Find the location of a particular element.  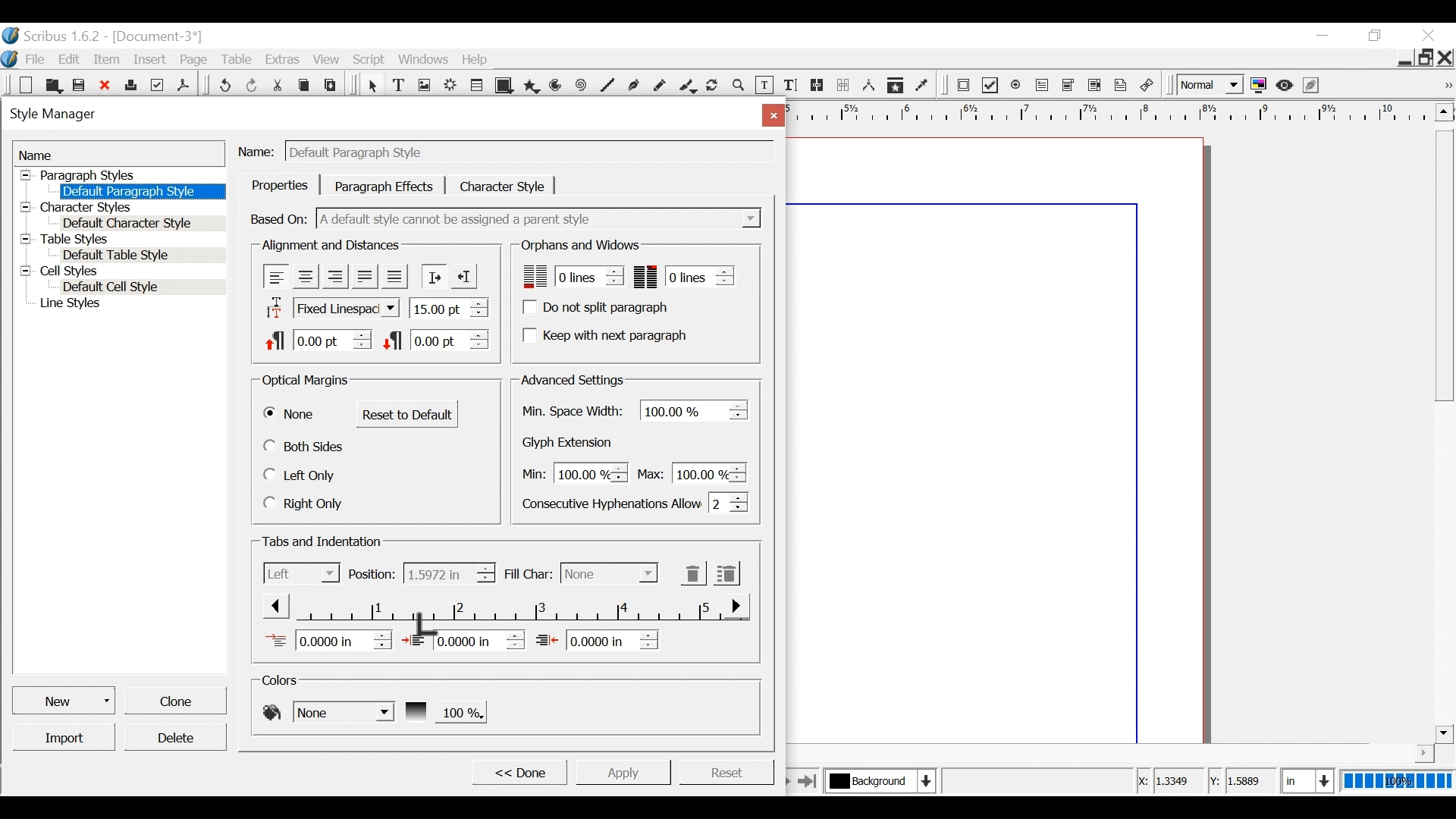

Position is located at coordinates (372, 574).